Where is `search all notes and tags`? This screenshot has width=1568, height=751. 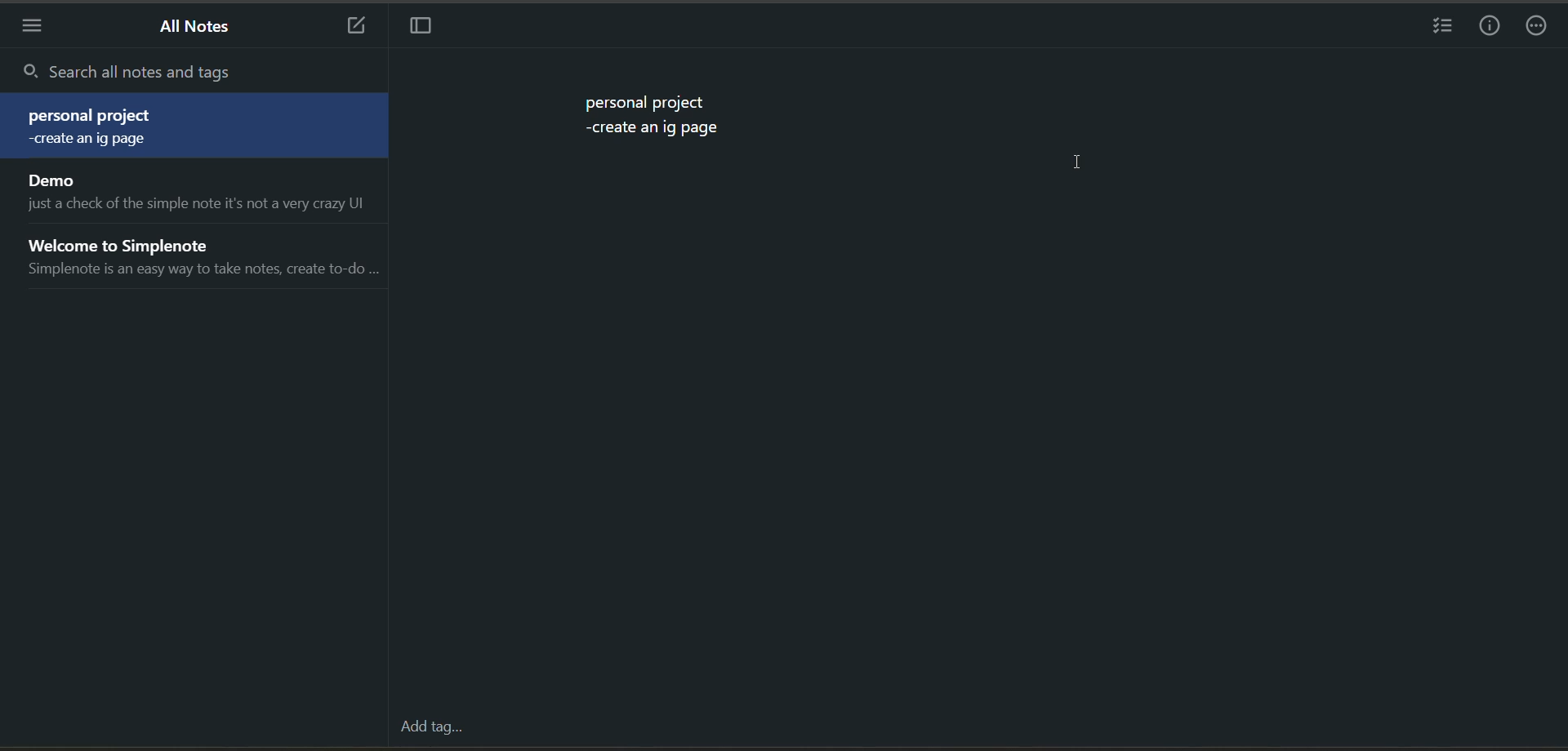
search all notes and tags is located at coordinates (209, 73).